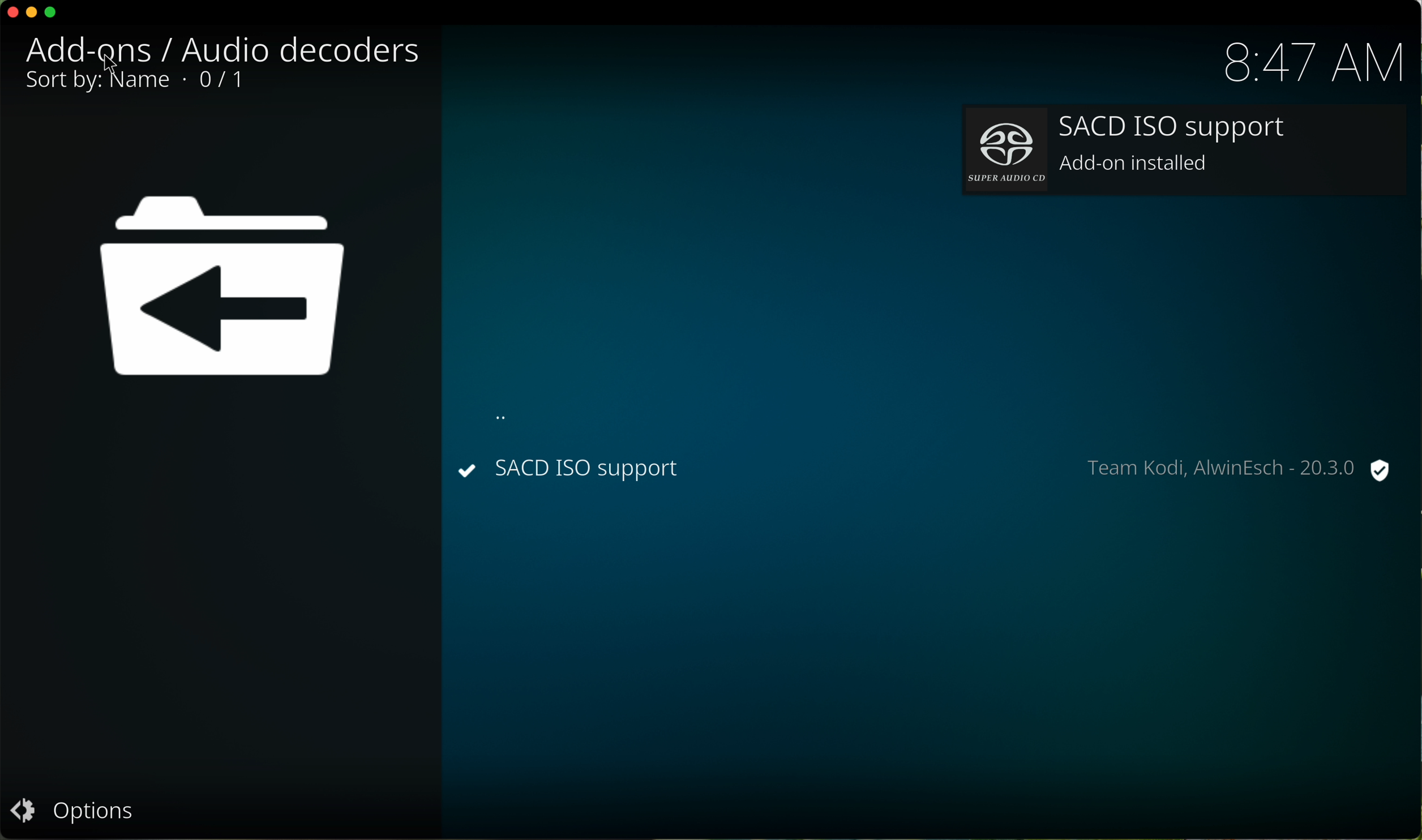 The width and height of the screenshot is (1422, 840). I want to click on options, so click(72, 815).